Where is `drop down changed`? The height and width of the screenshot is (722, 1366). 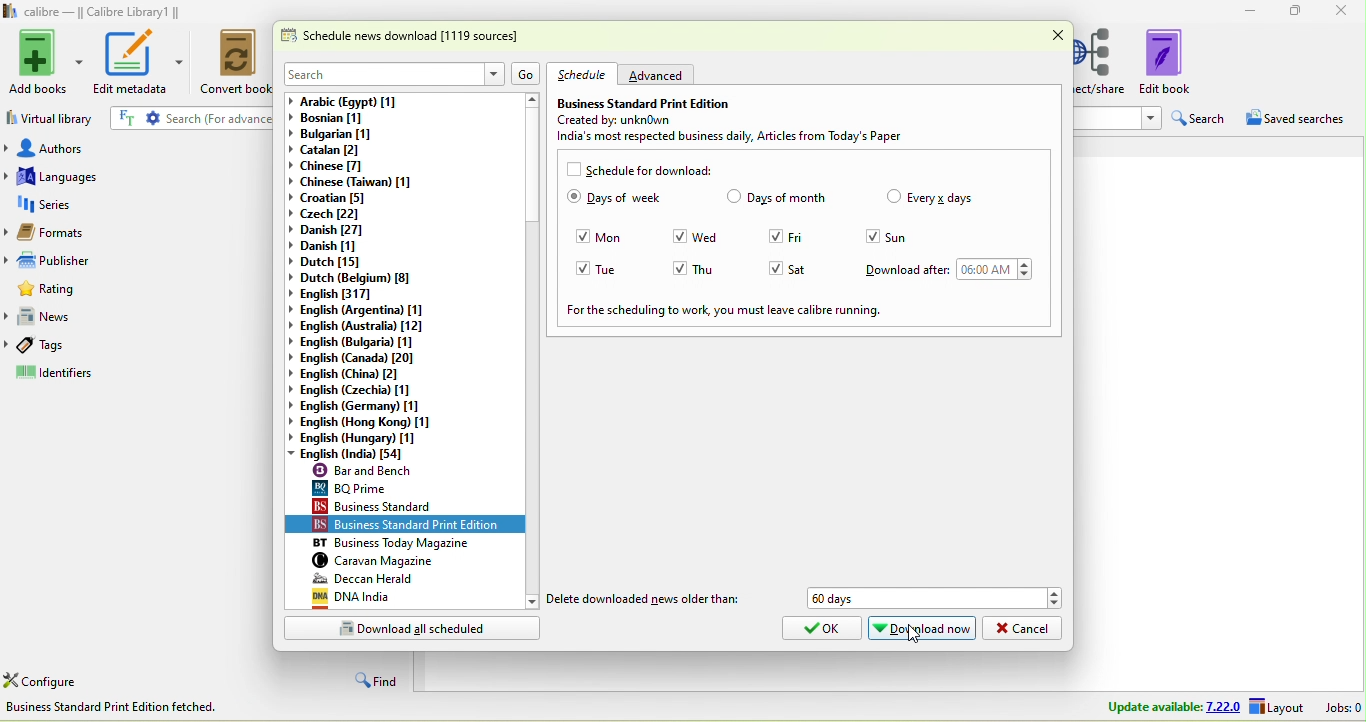 drop down changed is located at coordinates (290, 454).